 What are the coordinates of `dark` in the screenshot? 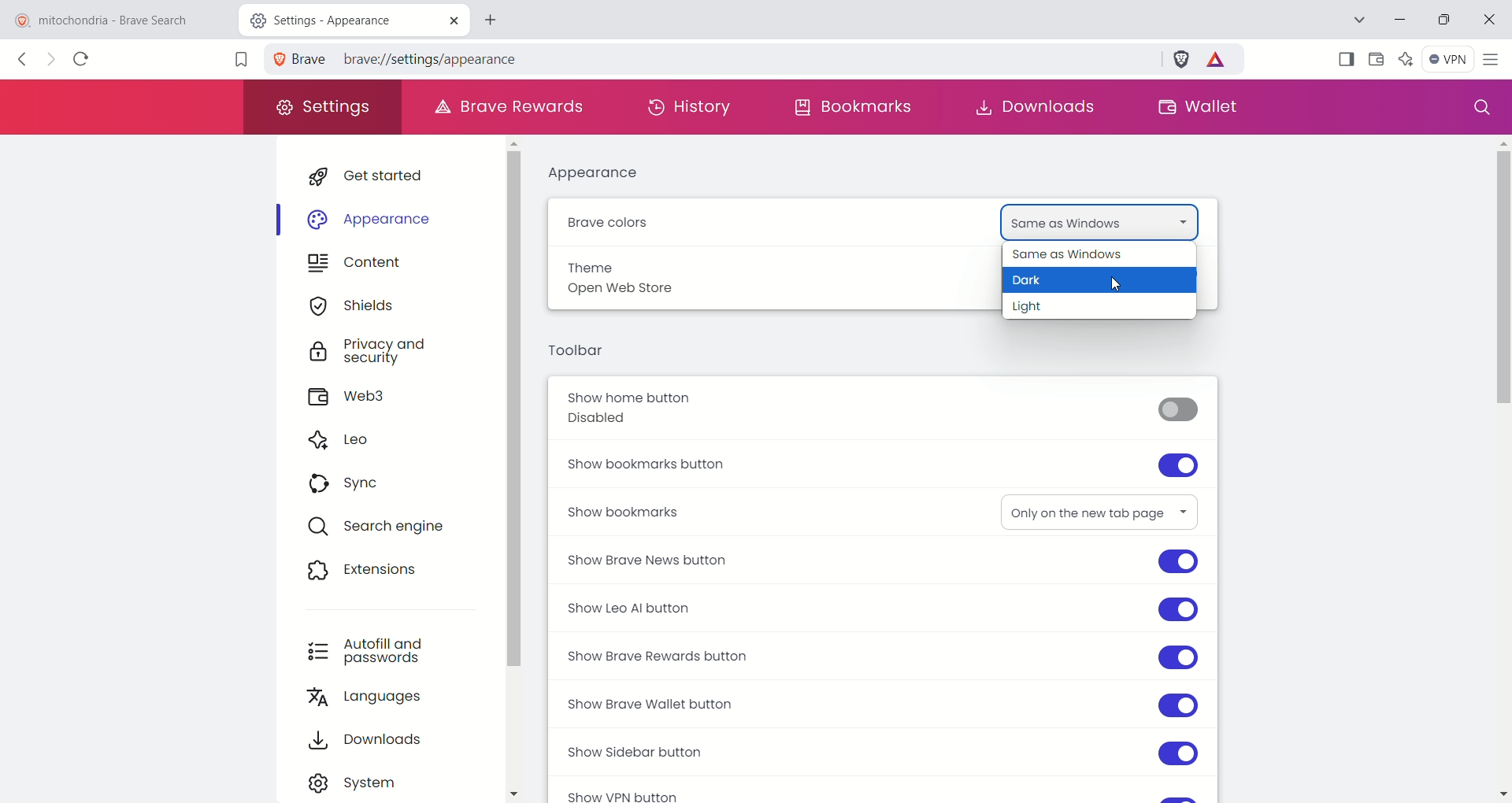 It's located at (1043, 283).